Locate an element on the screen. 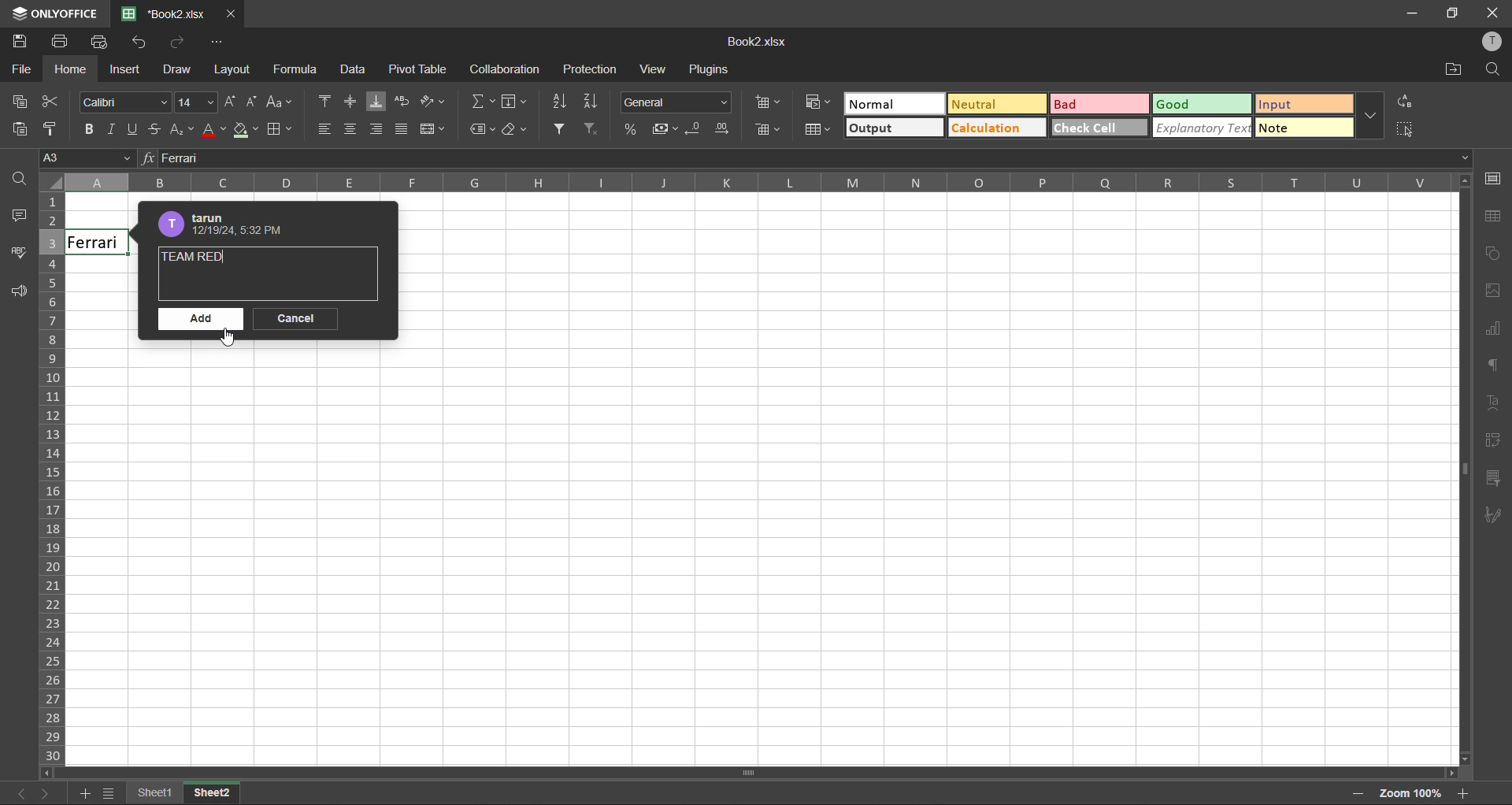 The height and width of the screenshot is (805, 1512). find is located at coordinates (1498, 69).